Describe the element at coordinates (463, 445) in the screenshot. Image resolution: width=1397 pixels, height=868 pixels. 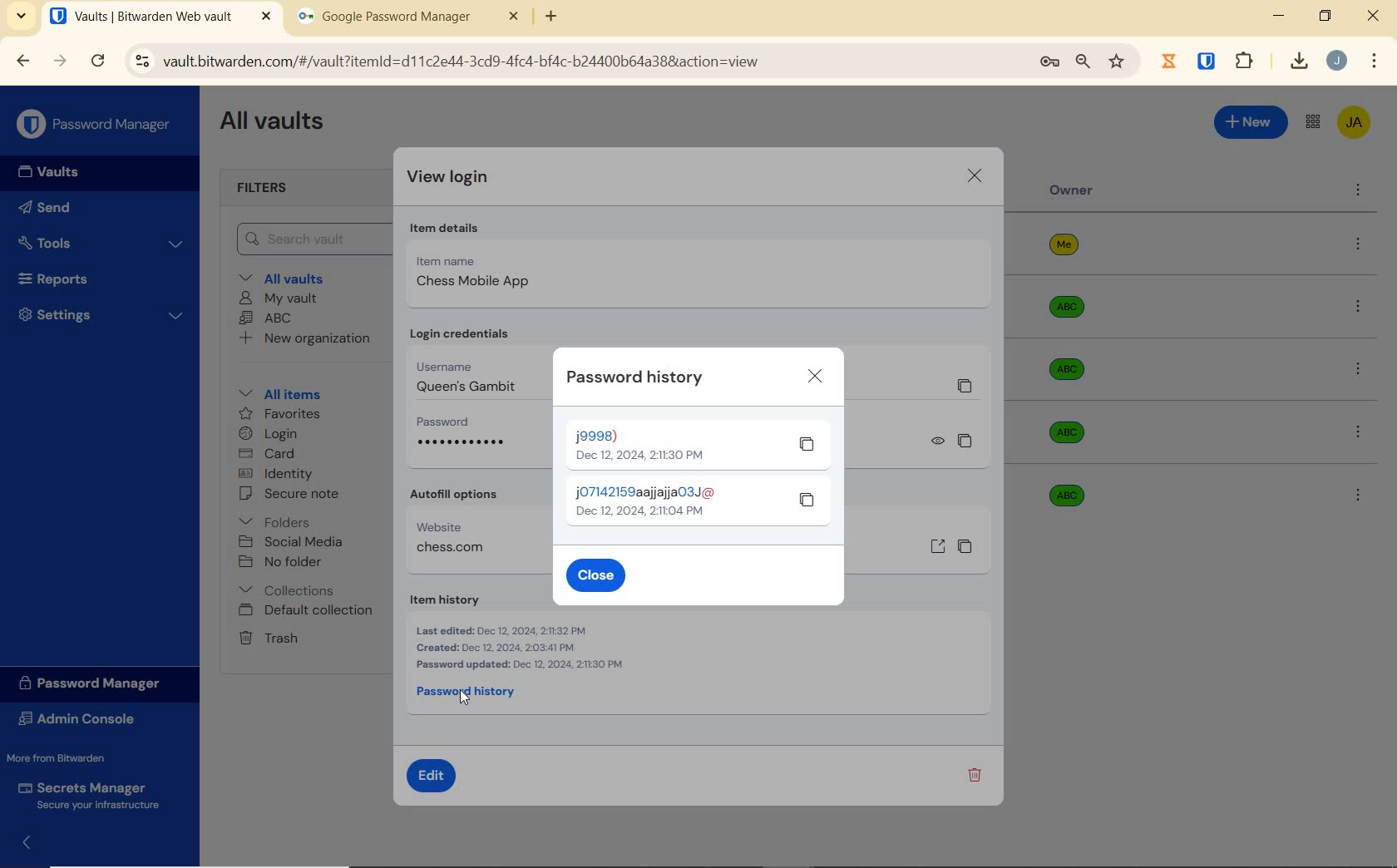
I see `hidden password` at that location.